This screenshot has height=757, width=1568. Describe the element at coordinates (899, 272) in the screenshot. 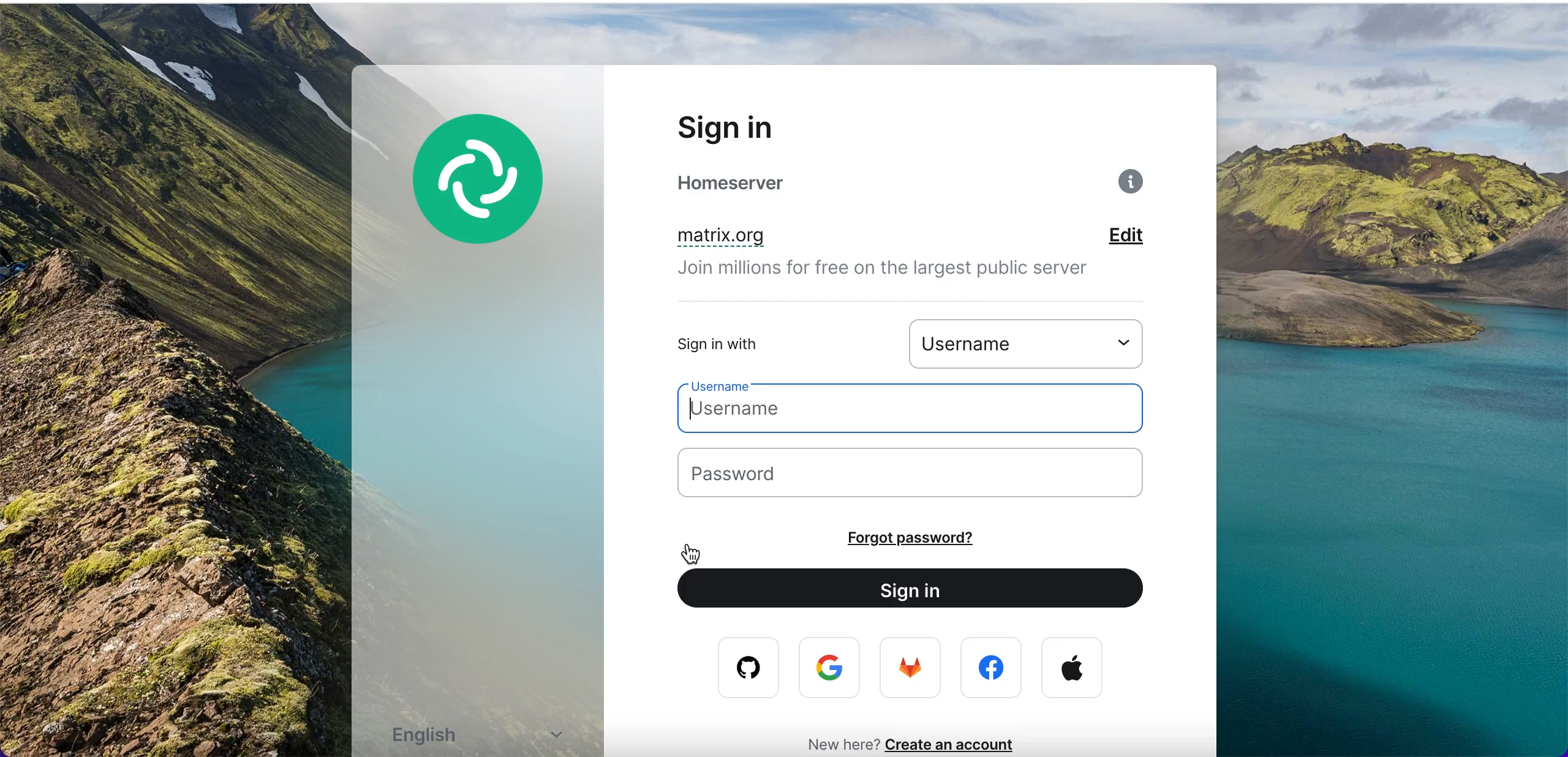

I see `join millions for free on the largest public server` at that location.